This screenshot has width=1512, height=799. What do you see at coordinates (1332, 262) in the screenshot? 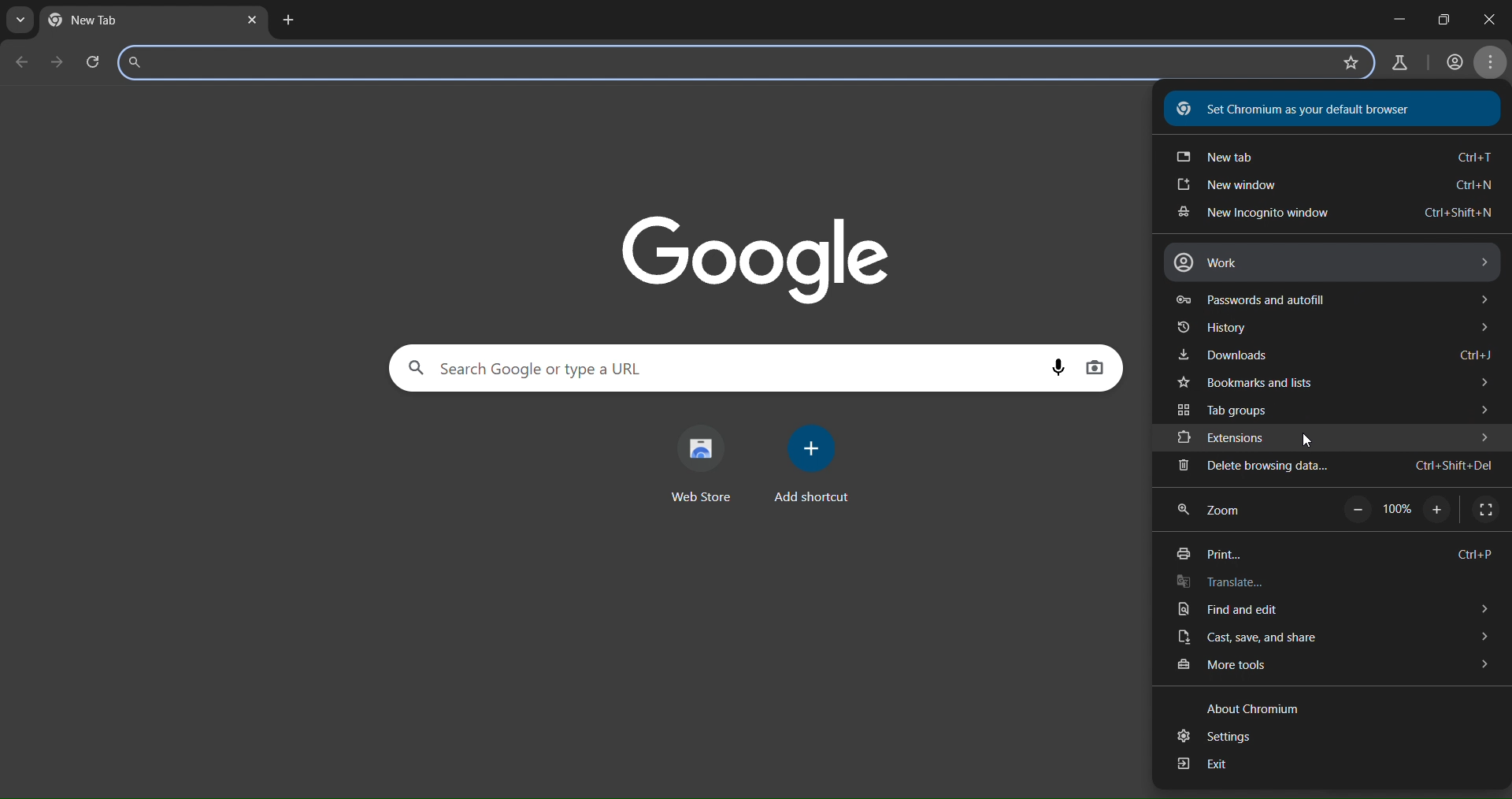
I see `work` at bounding box center [1332, 262].